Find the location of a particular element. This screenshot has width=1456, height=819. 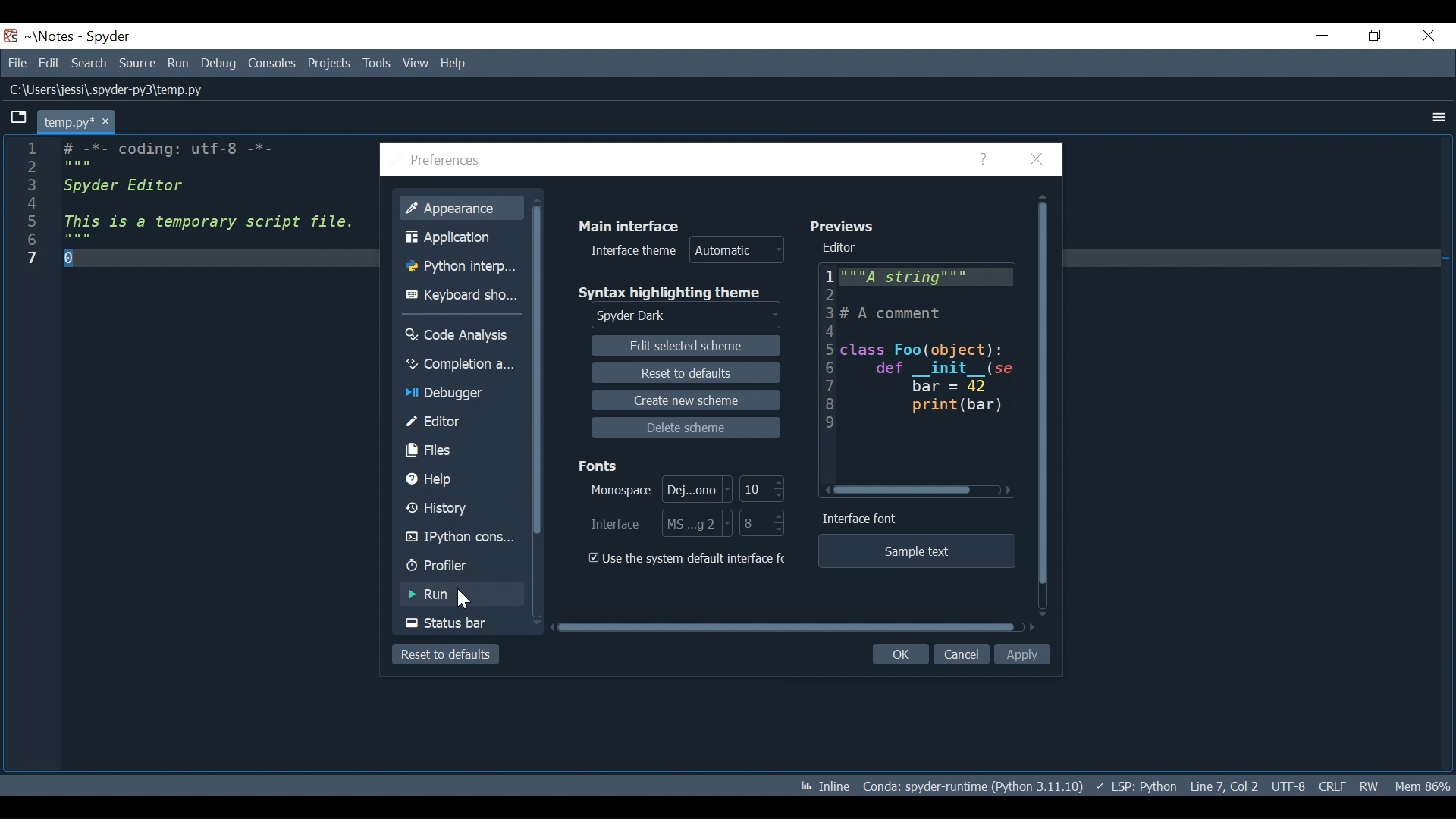

Conda Environment Indicator is located at coordinates (972, 786).